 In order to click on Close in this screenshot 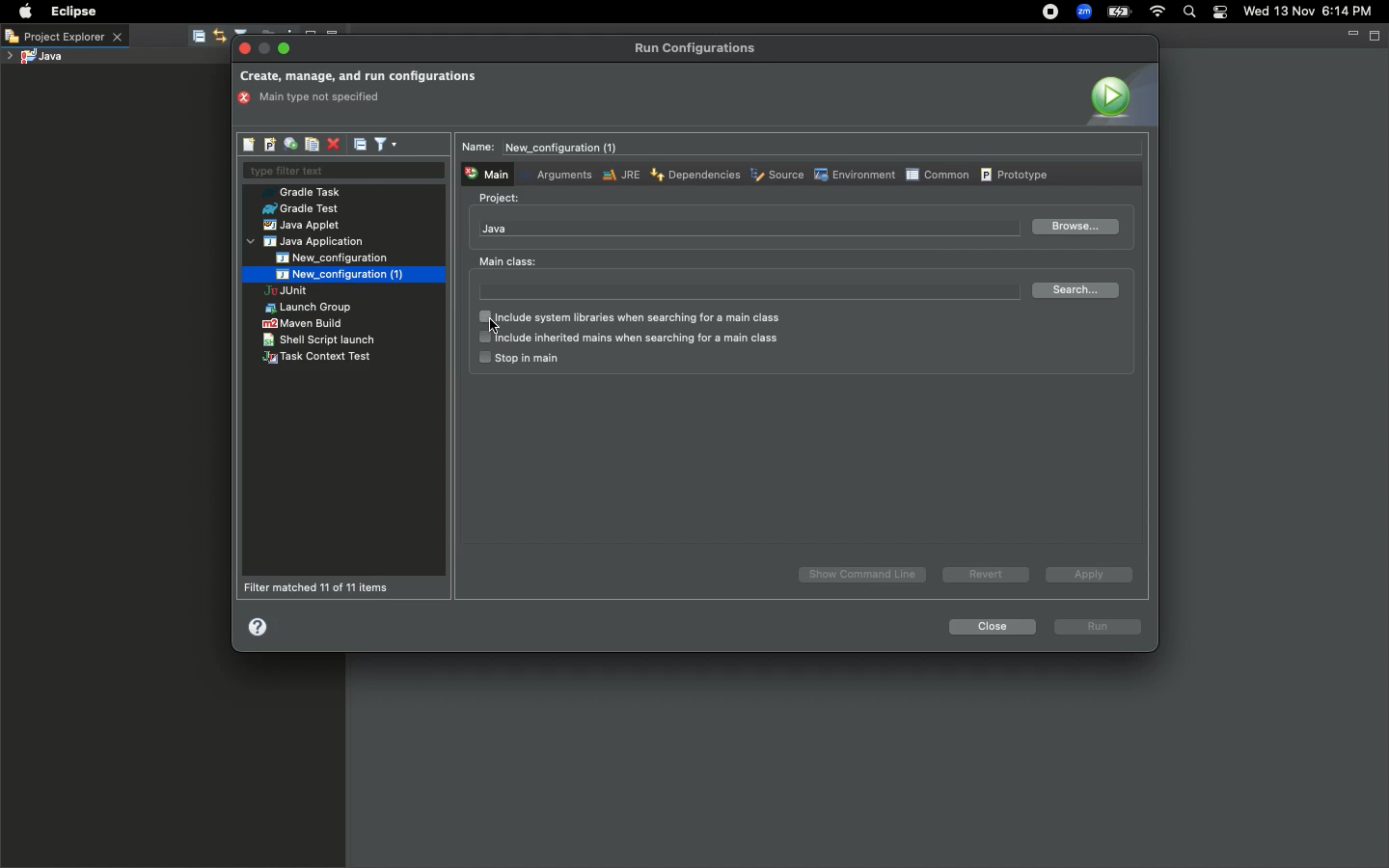, I will do `click(990, 627)`.